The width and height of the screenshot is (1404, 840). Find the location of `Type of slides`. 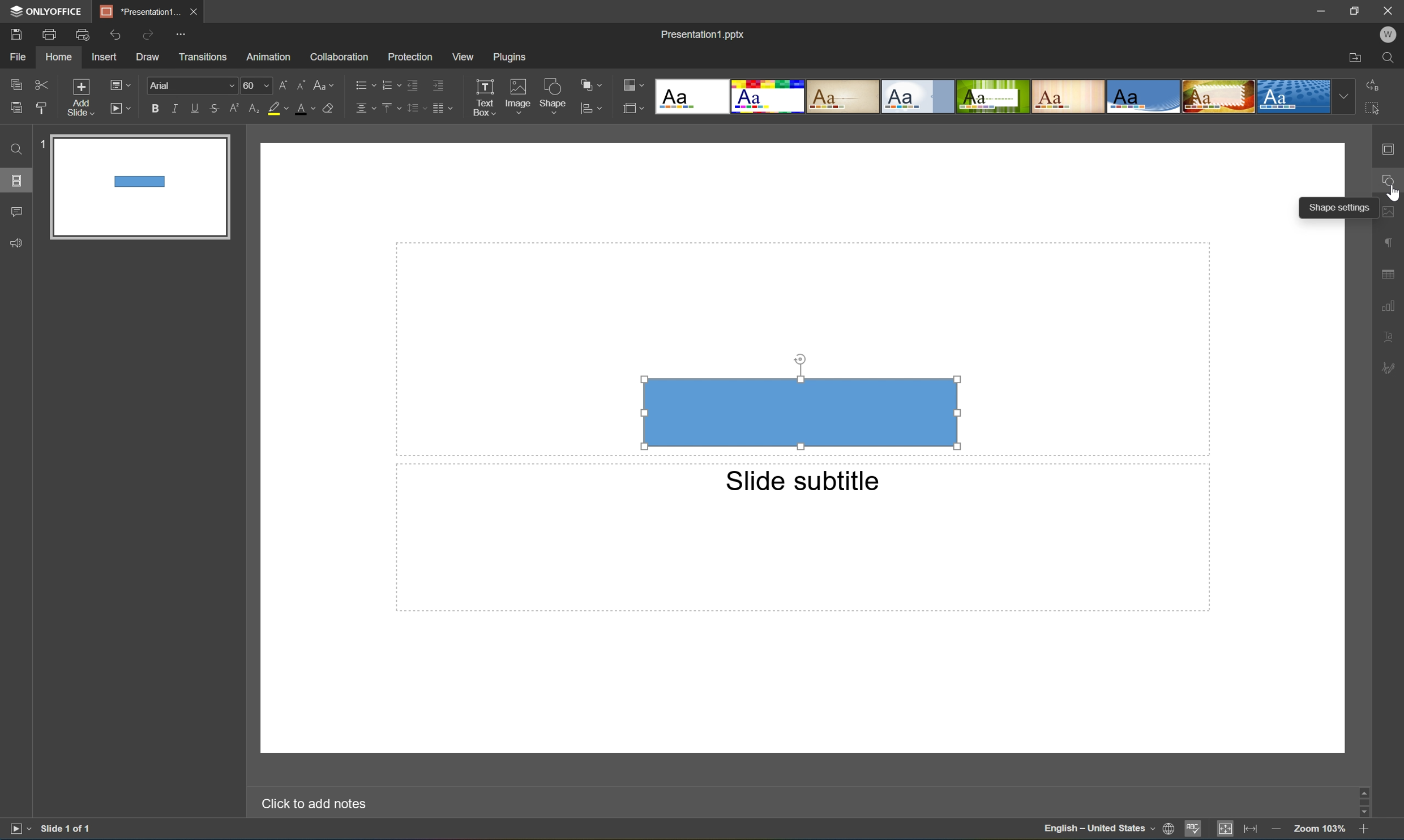

Type of slides is located at coordinates (1003, 97).